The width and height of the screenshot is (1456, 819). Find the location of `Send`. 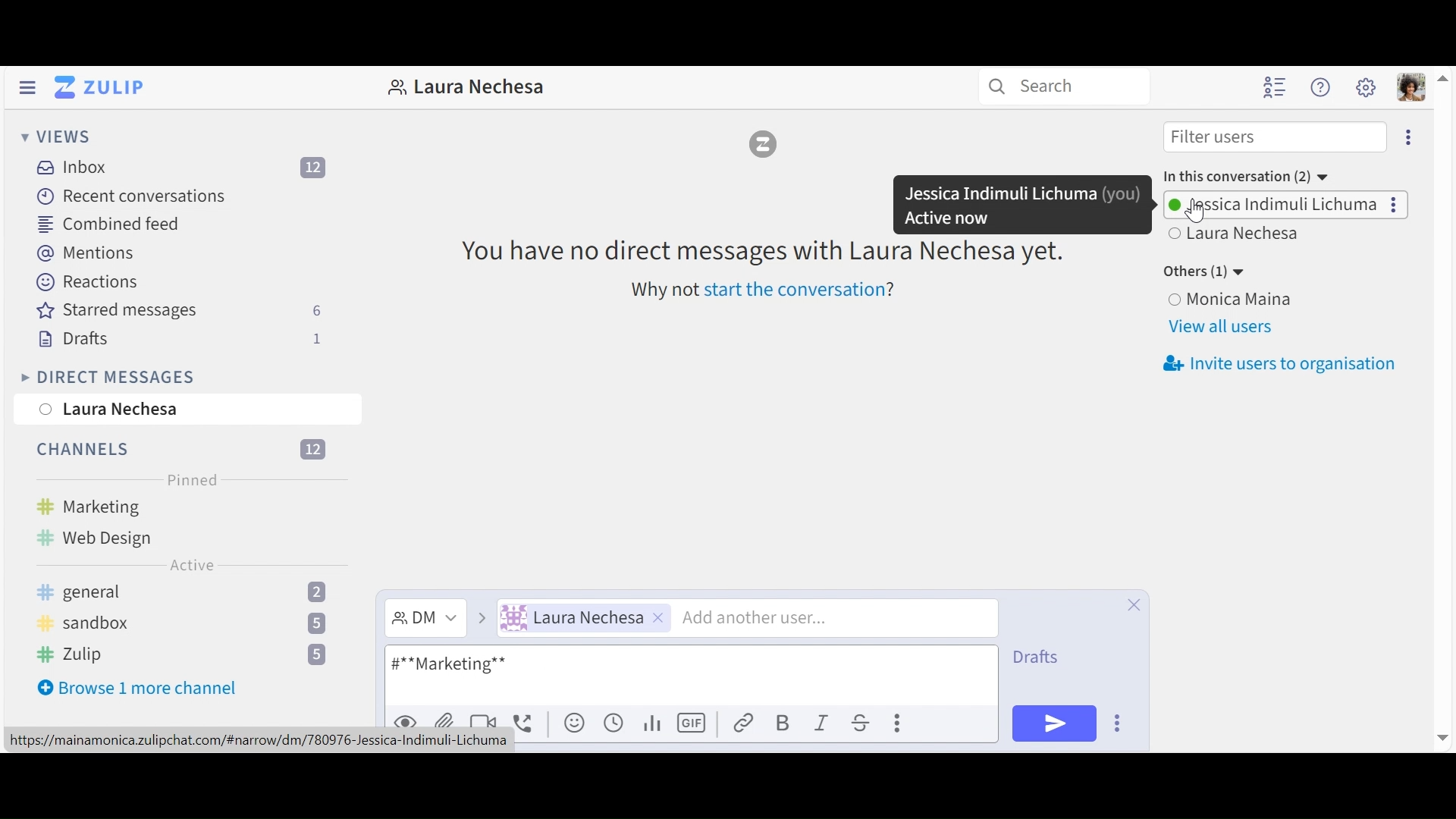

Send is located at coordinates (1053, 723).